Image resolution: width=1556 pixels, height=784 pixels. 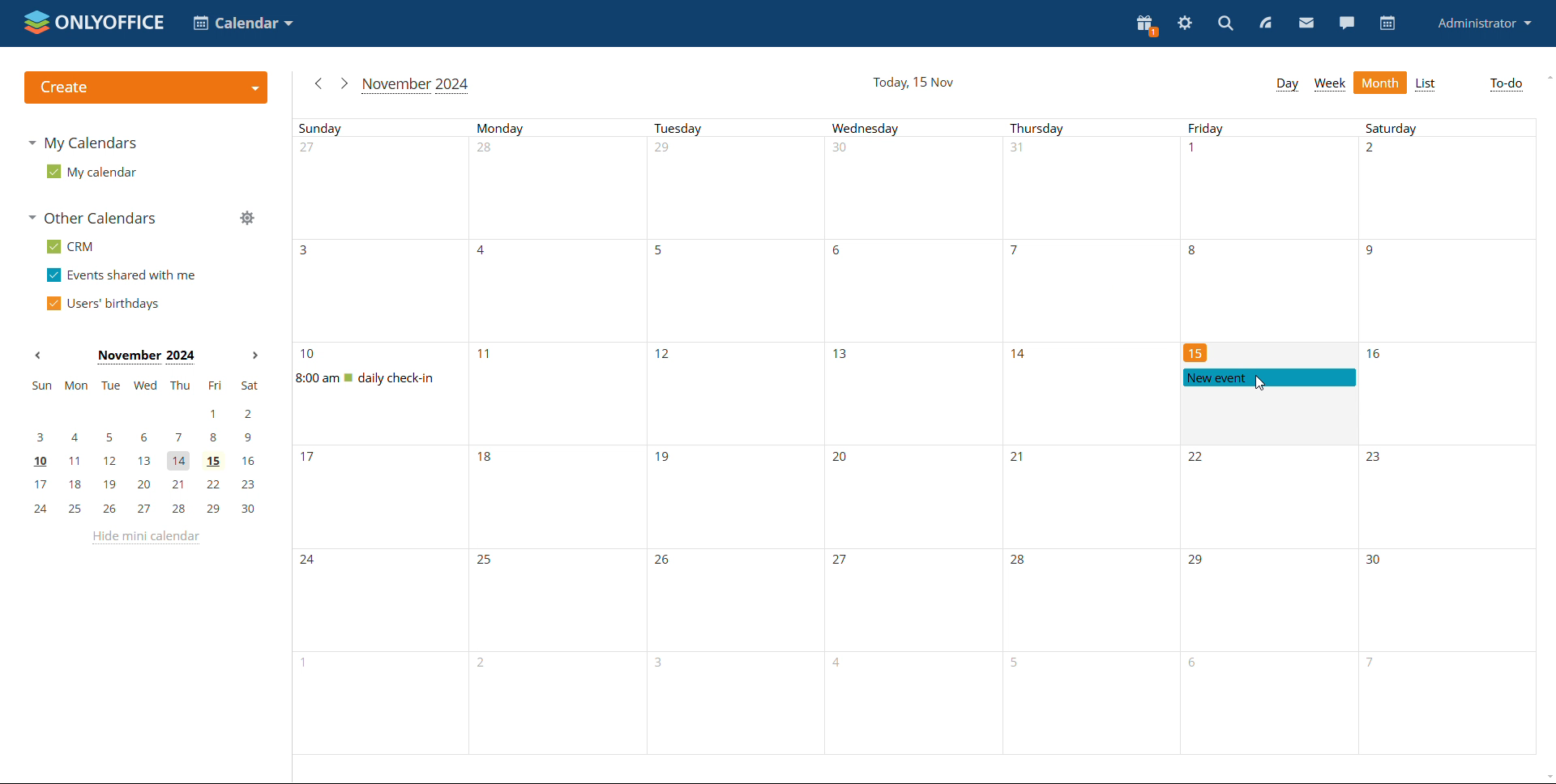 I want to click on week view, so click(x=1329, y=84).